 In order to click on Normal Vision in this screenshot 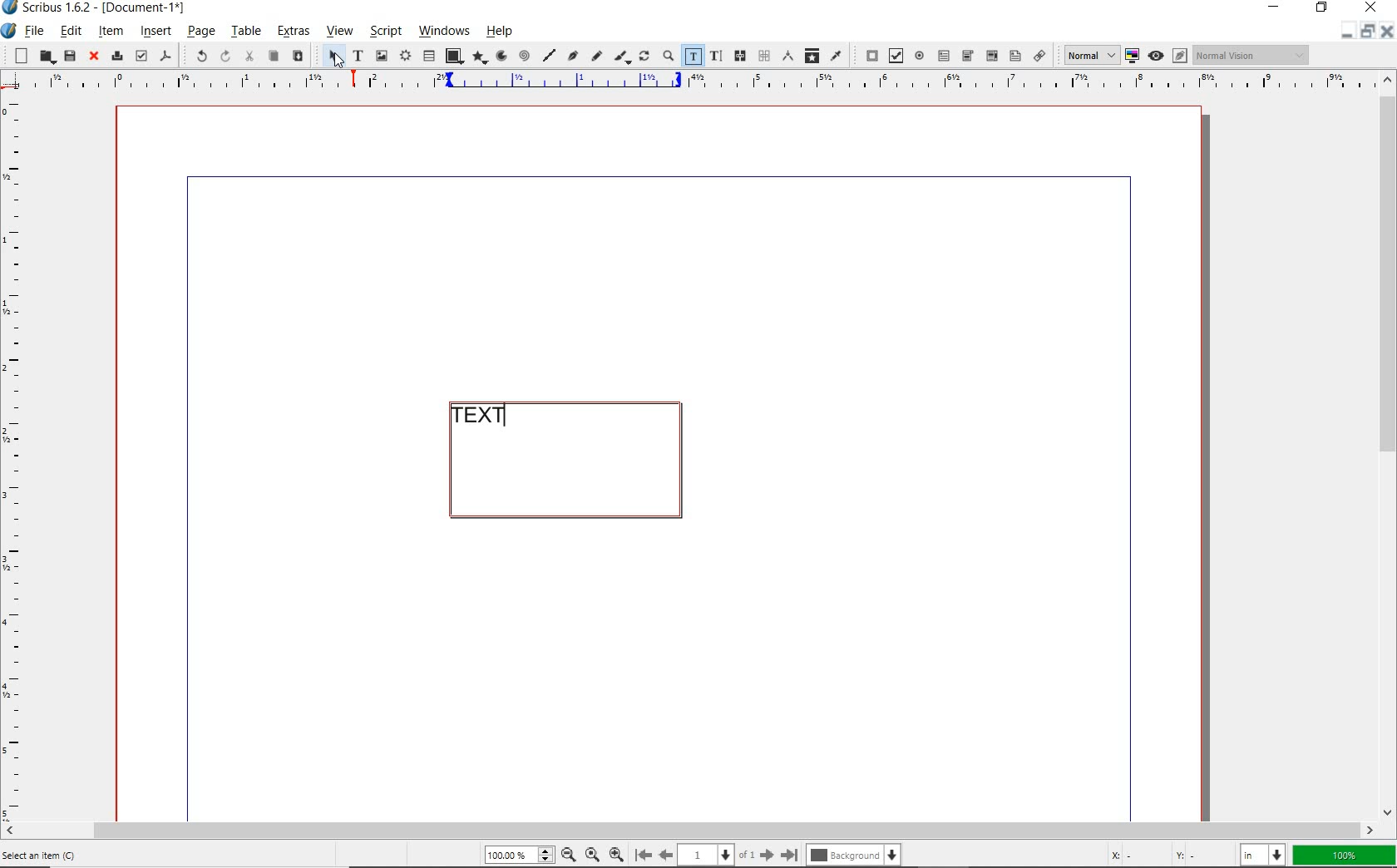, I will do `click(1253, 57)`.